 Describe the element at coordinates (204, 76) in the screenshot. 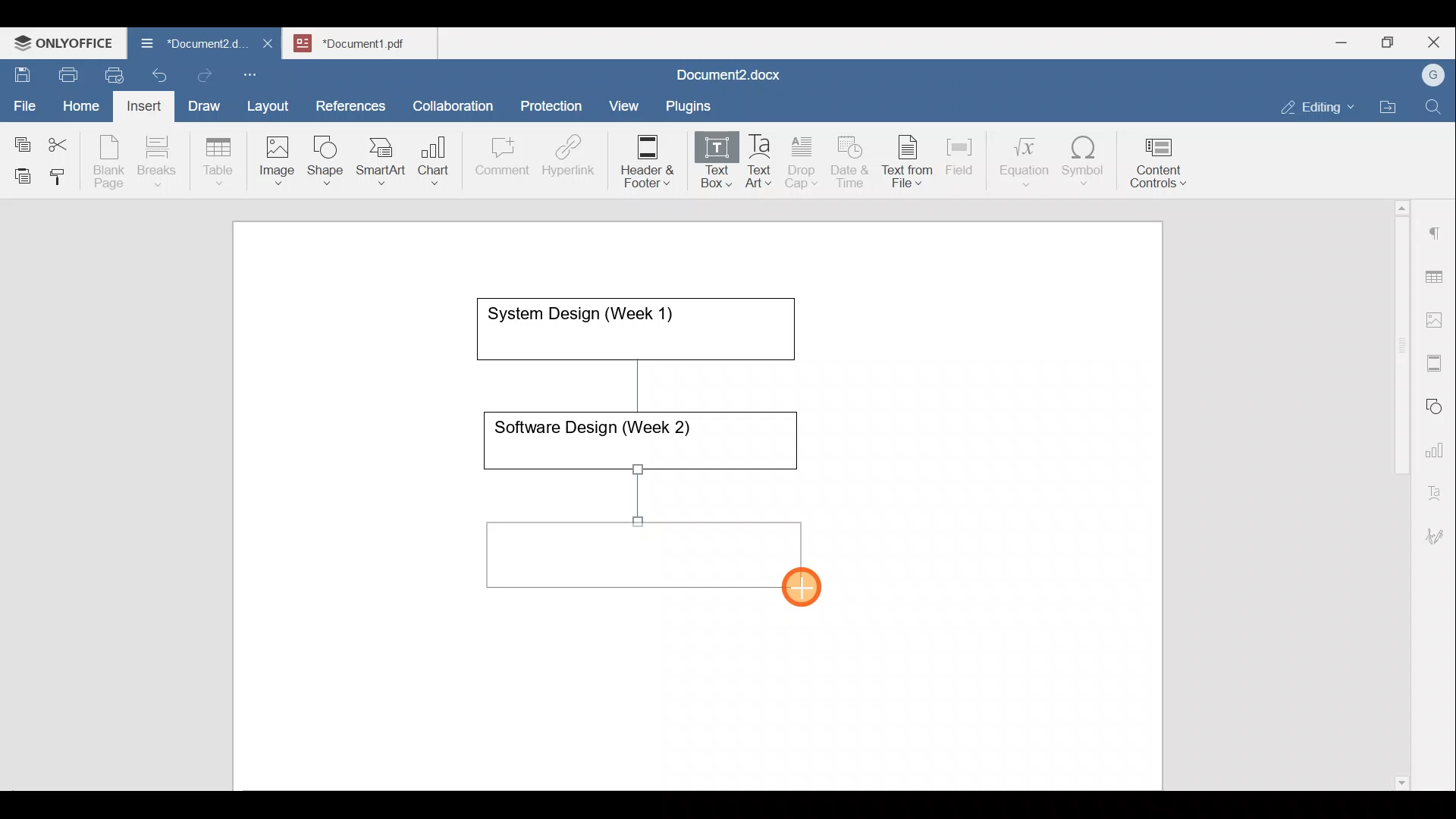

I see `Redo` at that location.